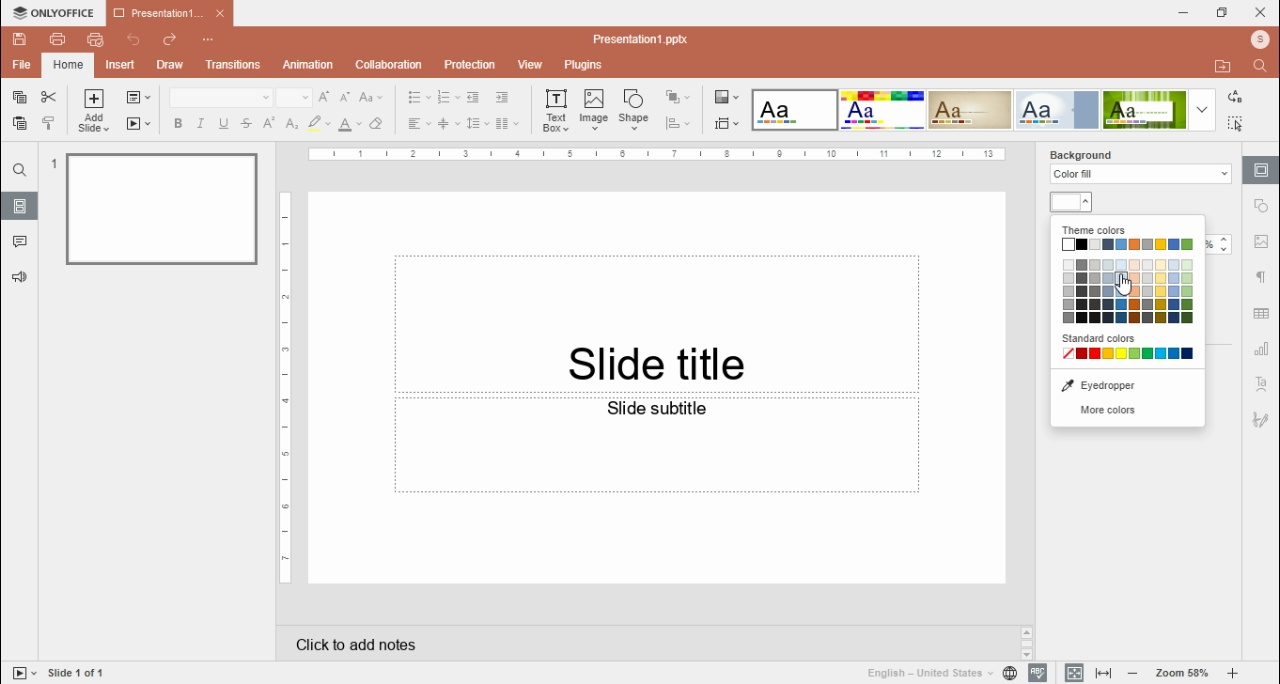 Image resolution: width=1280 pixels, height=684 pixels. Describe the element at coordinates (1236, 124) in the screenshot. I see `select all` at that location.